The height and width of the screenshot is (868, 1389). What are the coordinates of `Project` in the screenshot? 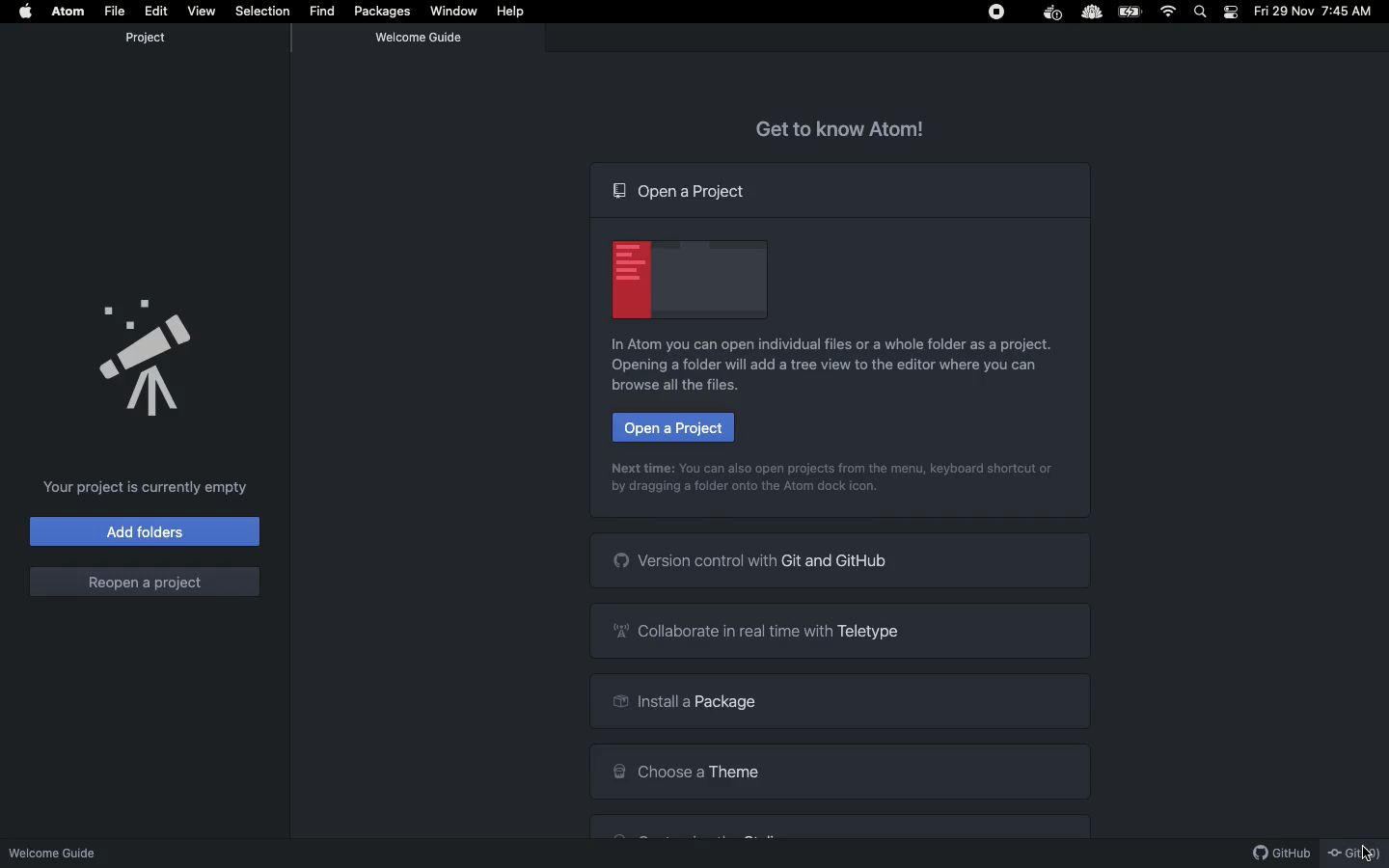 It's located at (146, 38).